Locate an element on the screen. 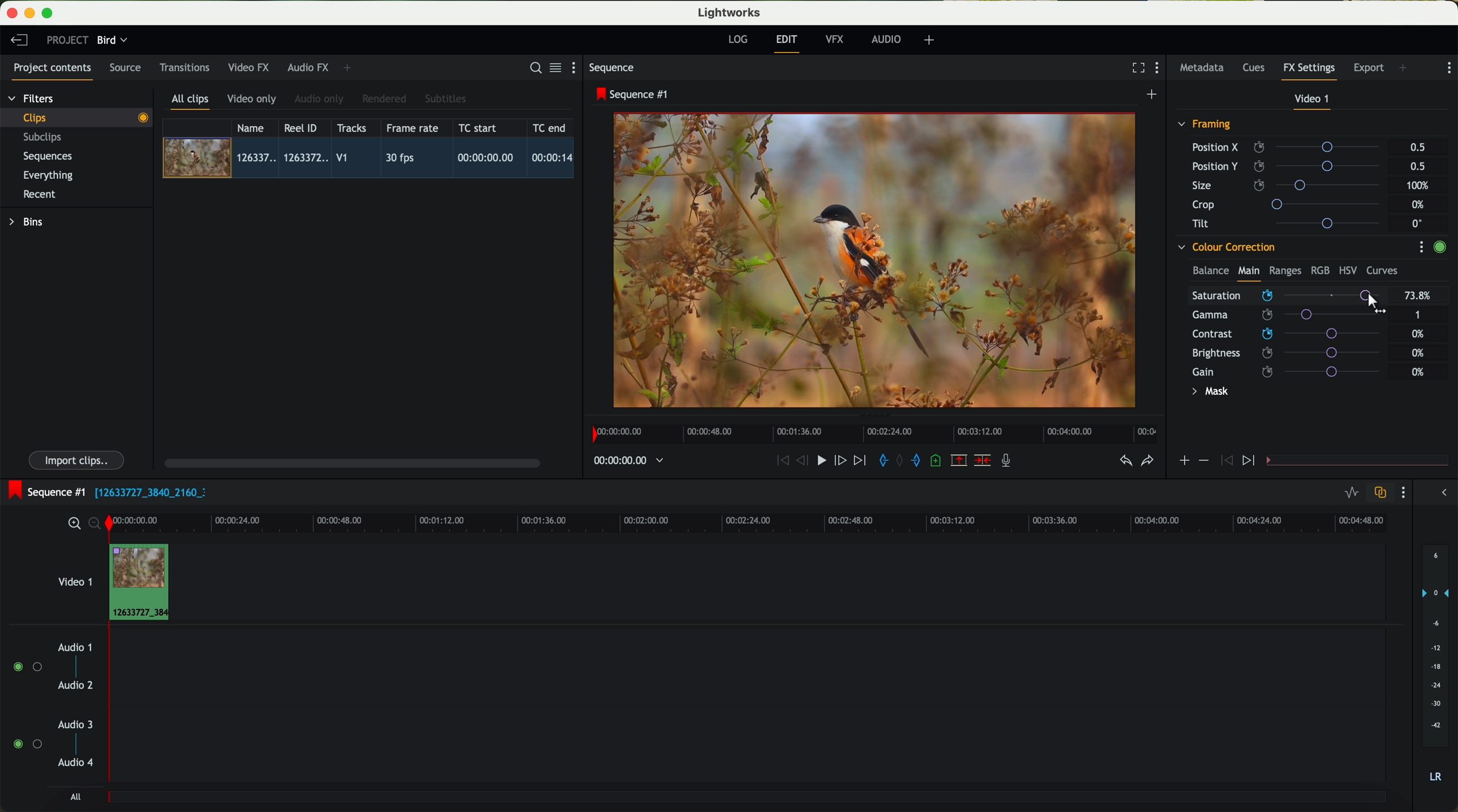  position X is located at coordinates (1290, 147).